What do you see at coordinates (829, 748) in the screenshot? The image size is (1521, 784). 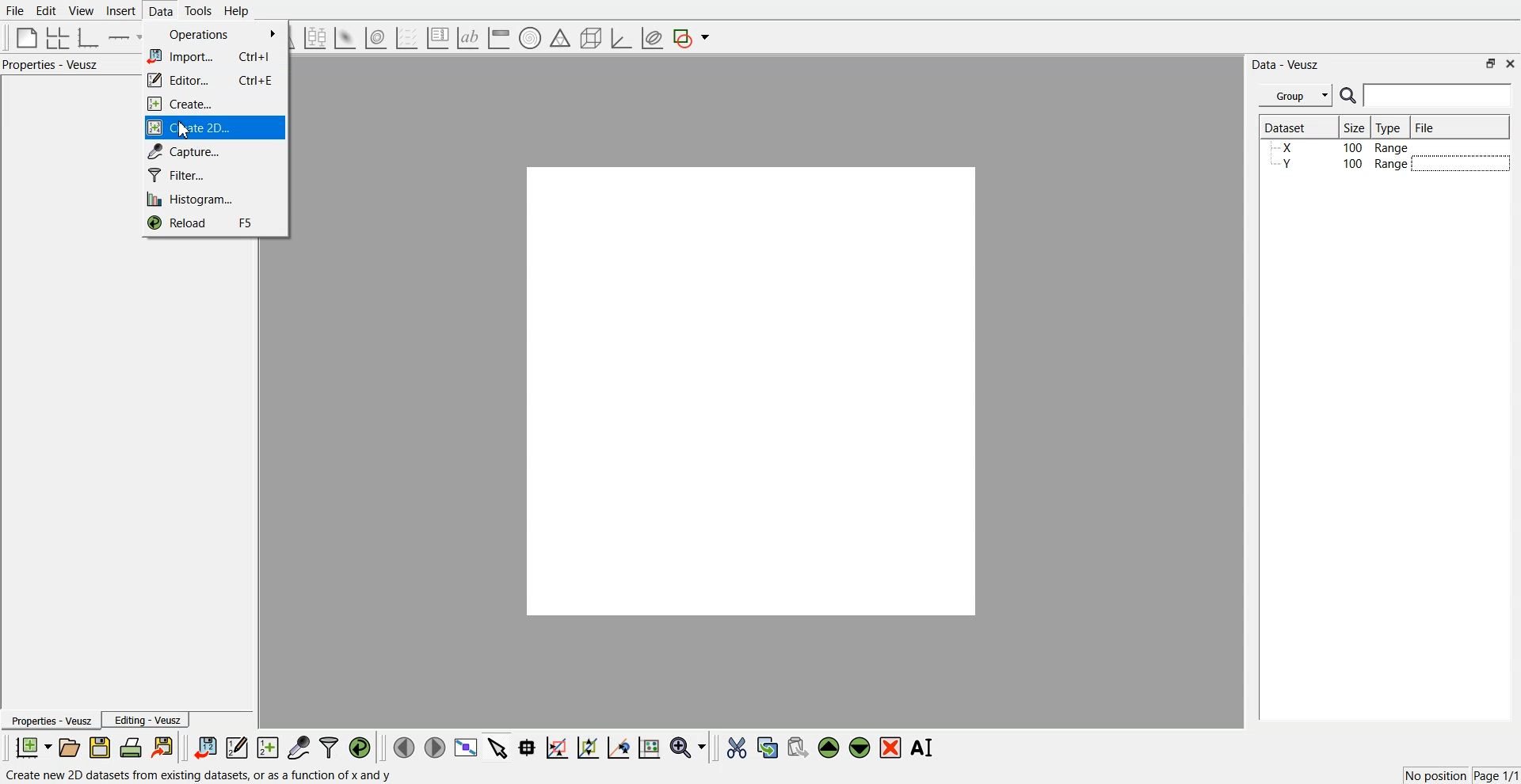 I see `Move up the selected widget` at bounding box center [829, 748].